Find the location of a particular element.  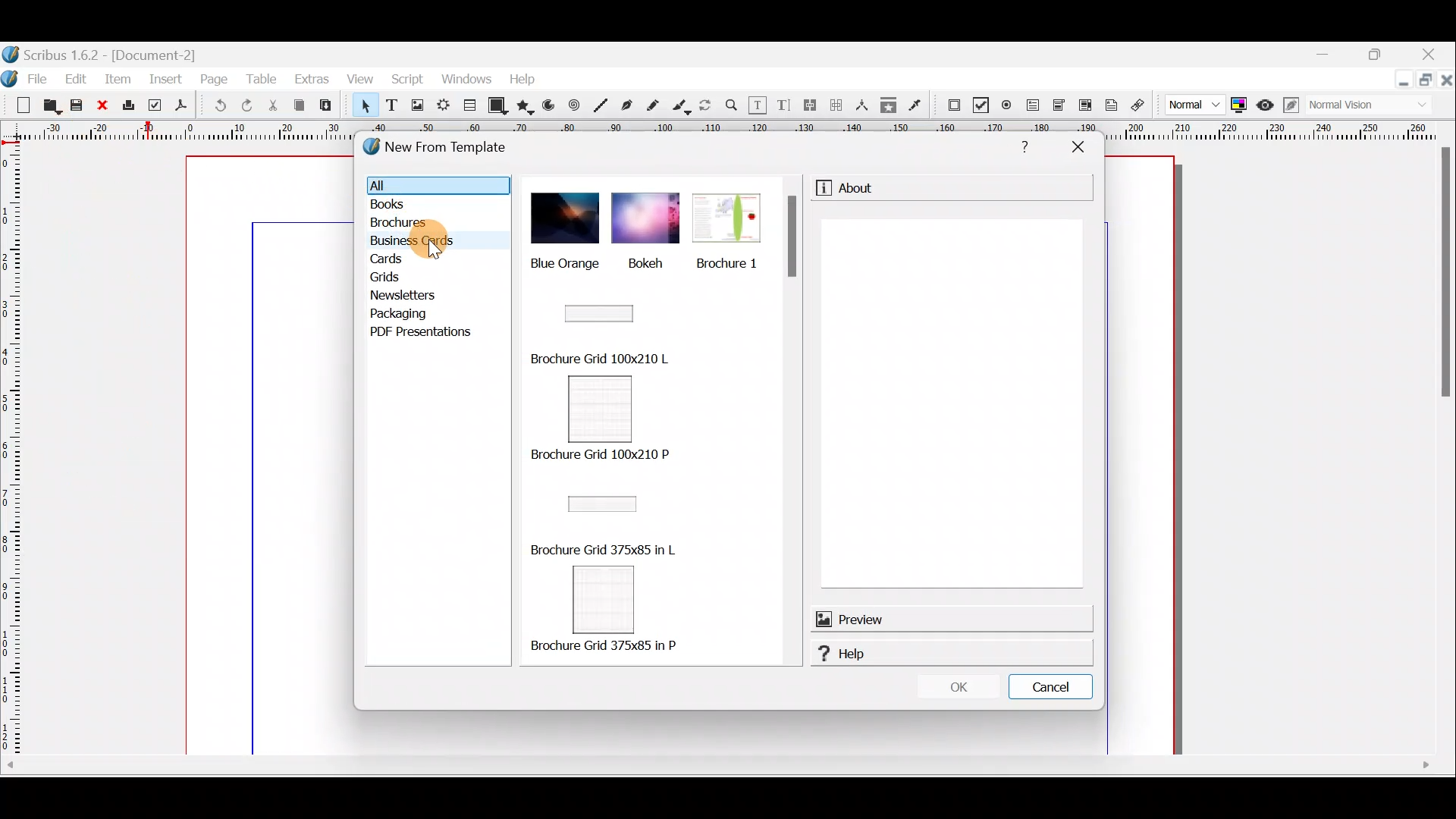

Measurements is located at coordinates (863, 105).